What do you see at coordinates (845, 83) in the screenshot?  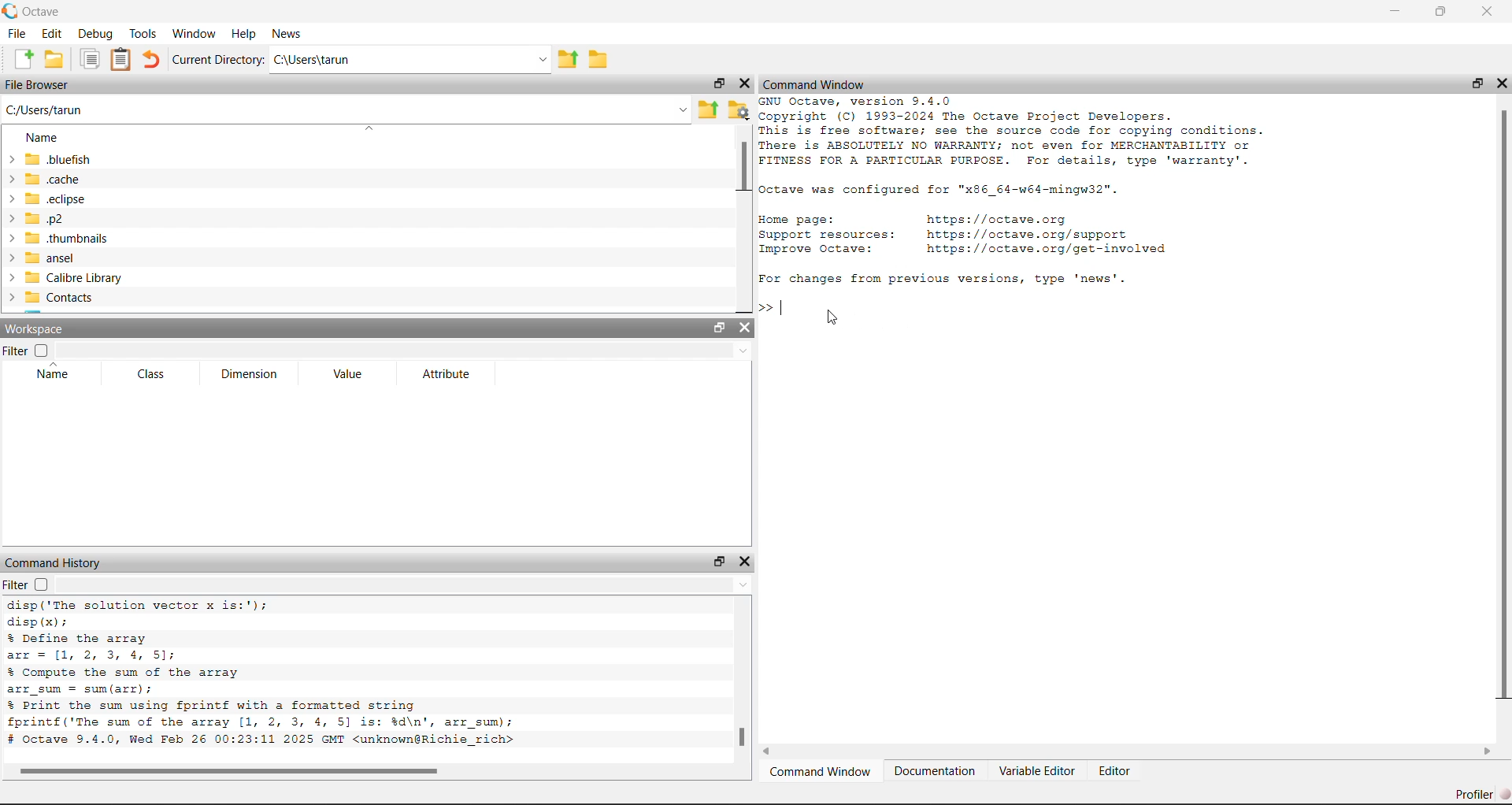 I see `Command Window` at bounding box center [845, 83].